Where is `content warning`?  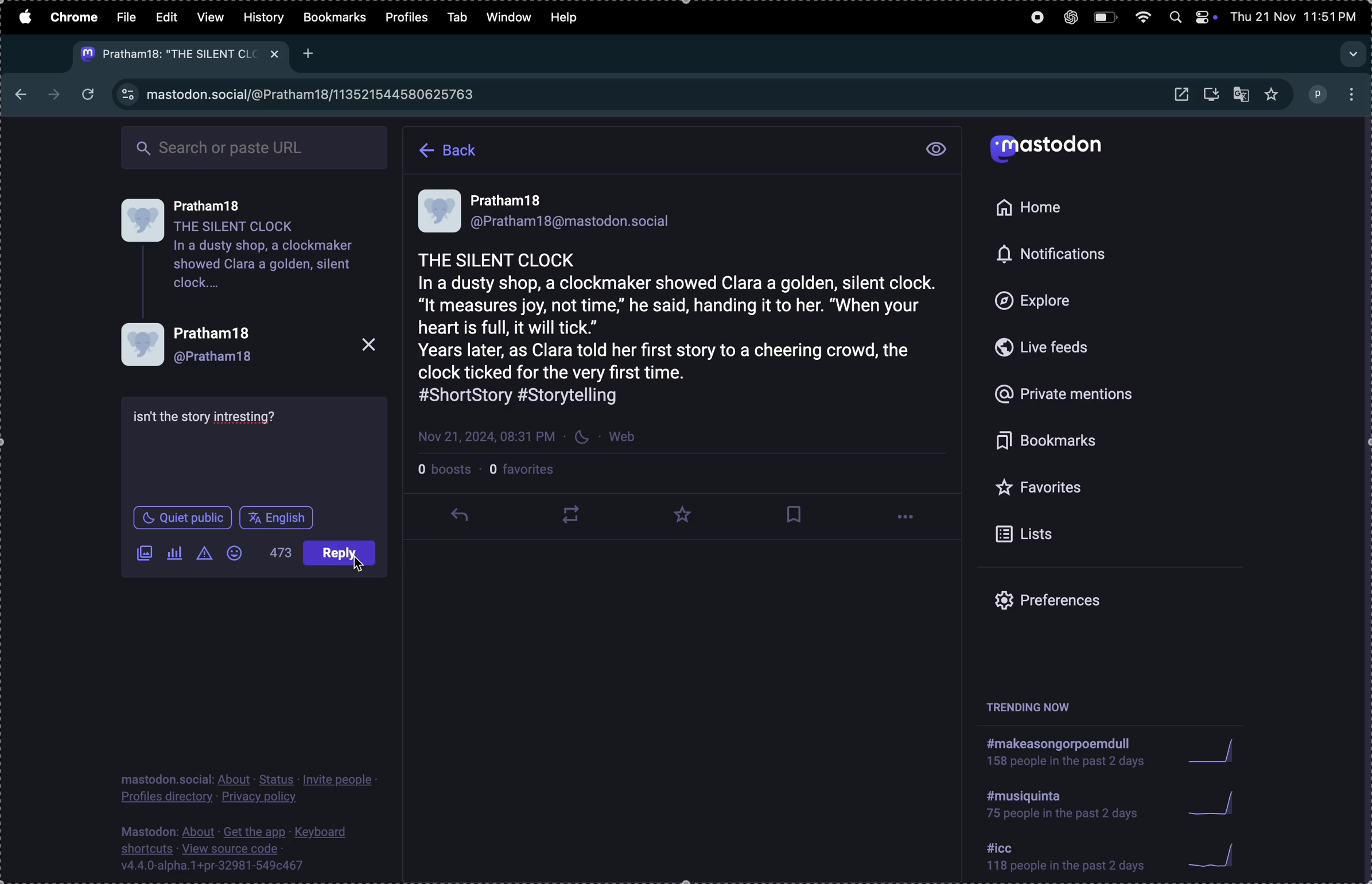
content warning is located at coordinates (205, 552).